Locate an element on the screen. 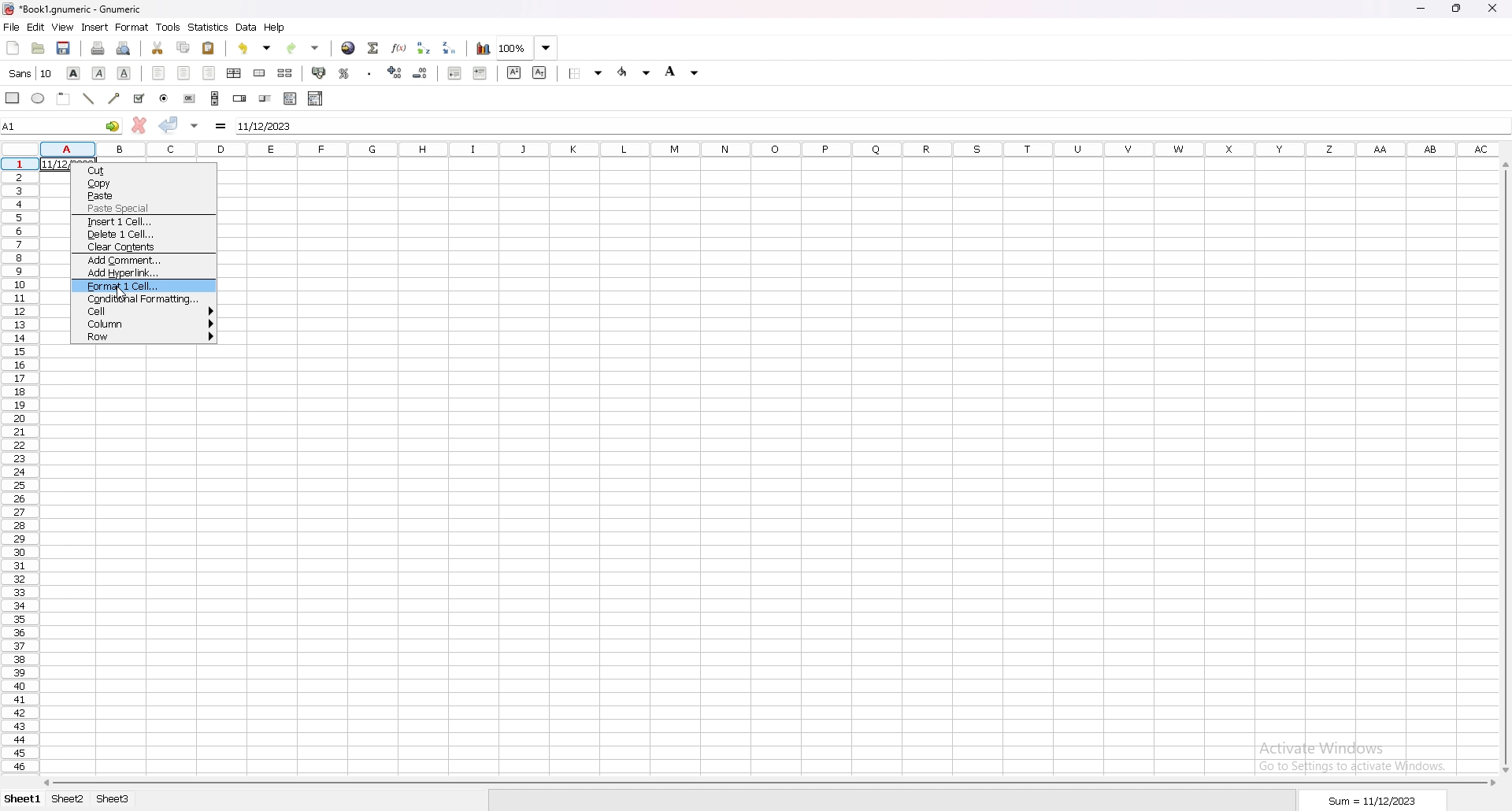 Image resolution: width=1512 pixels, height=811 pixels. right align is located at coordinates (209, 73).